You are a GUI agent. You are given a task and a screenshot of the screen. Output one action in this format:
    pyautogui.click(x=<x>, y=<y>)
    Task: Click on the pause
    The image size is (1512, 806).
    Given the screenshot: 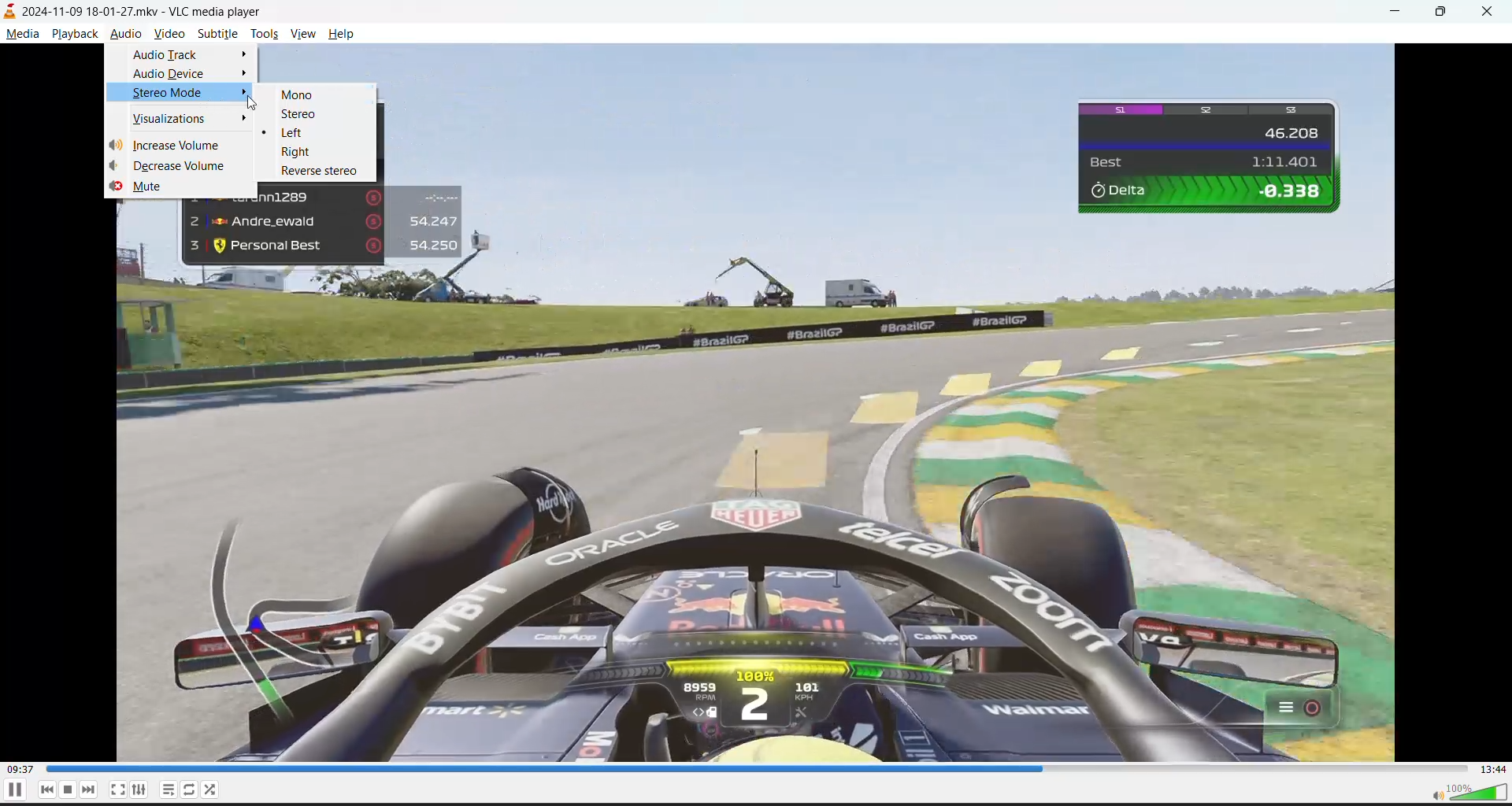 What is the action you would take?
    pyautogui.click(x=11, y=792)
    